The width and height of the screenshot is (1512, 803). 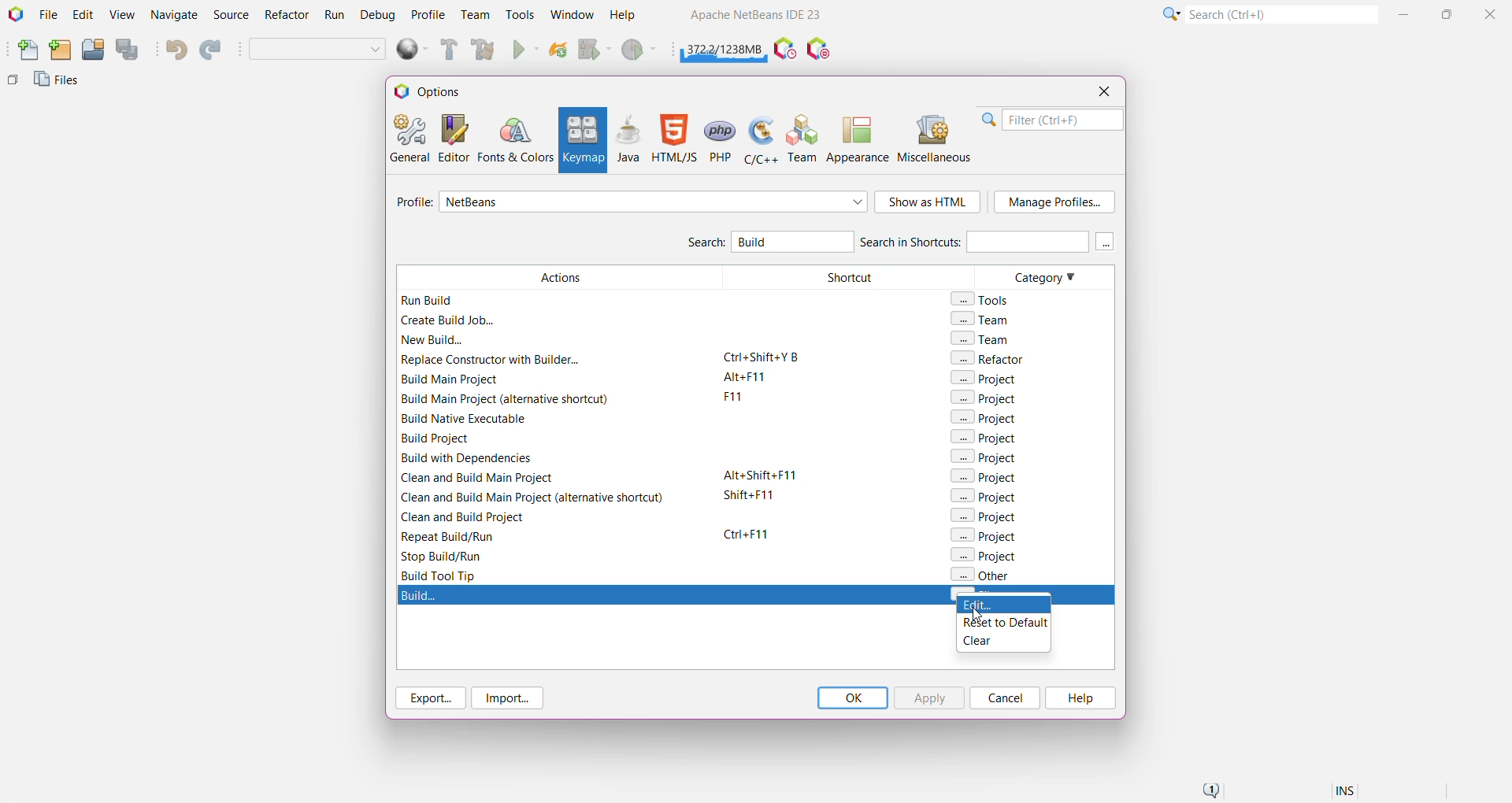 I want to click on Minimize, so click(x=1406, y=14).